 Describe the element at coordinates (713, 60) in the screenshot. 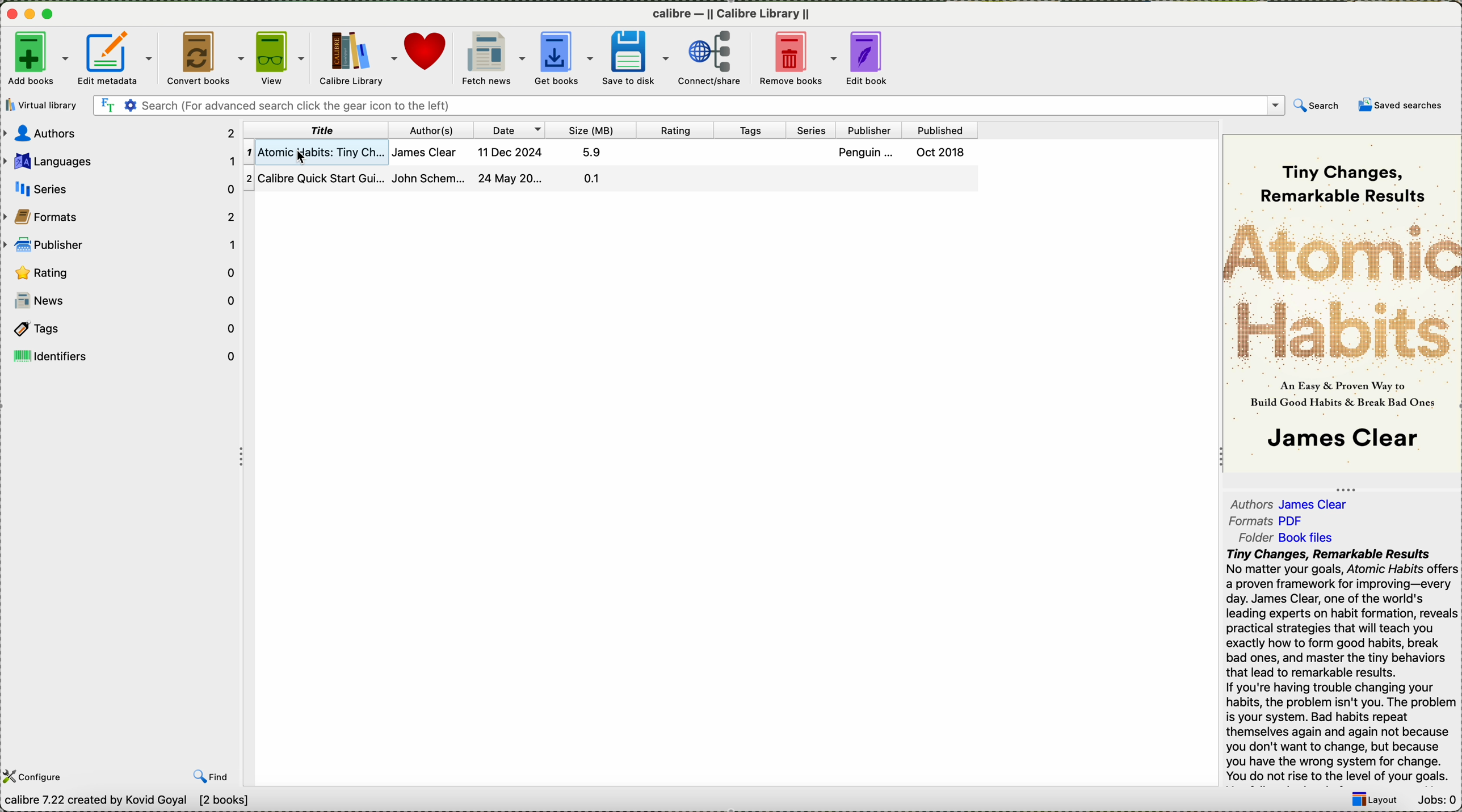

I see `connect/share` at that location.